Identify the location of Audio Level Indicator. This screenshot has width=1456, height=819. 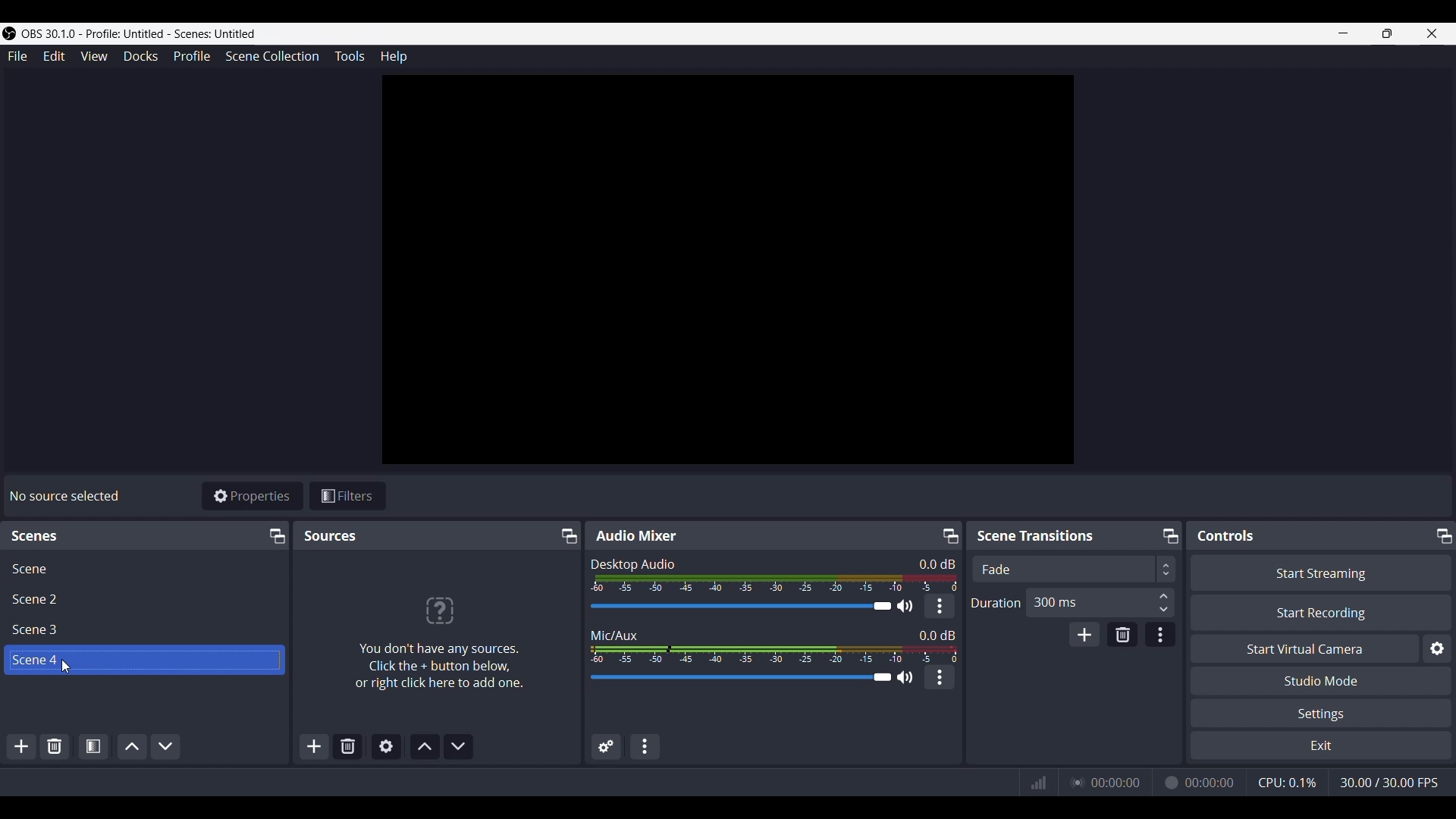
(932, 563).